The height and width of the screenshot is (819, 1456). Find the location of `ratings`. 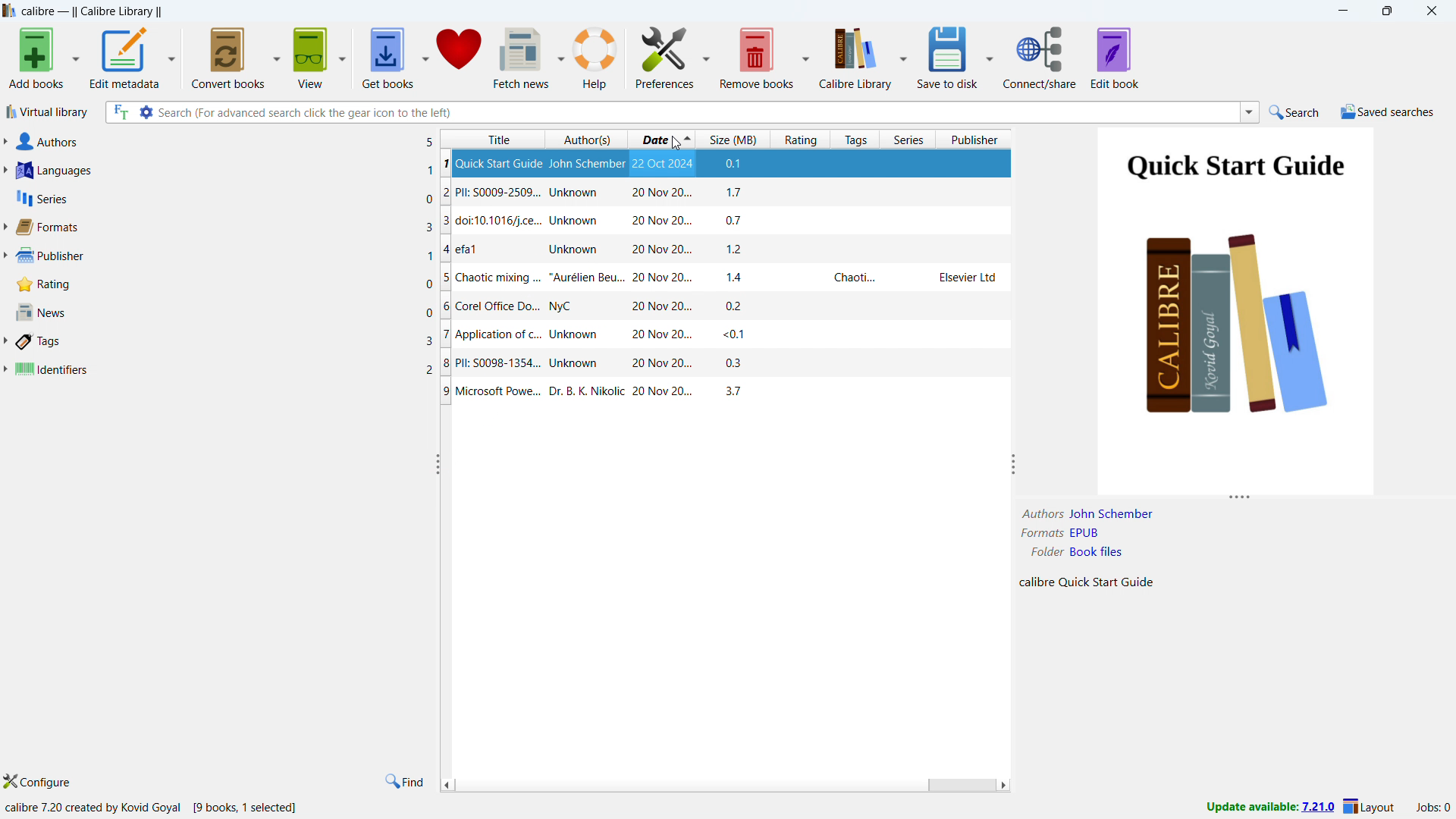

ratings is located at coordinates (224, 284).